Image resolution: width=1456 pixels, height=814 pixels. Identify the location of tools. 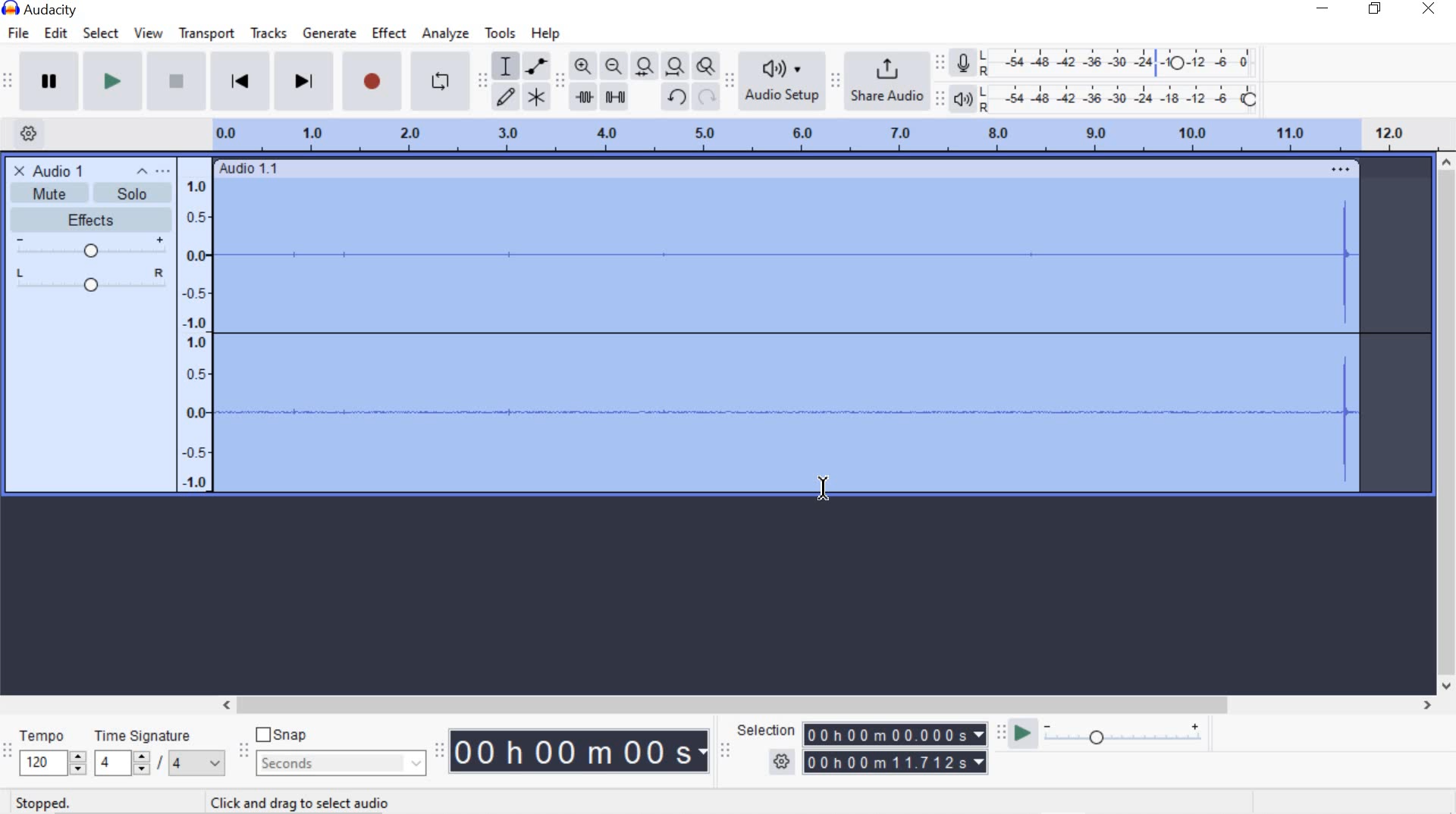
(500, 33).